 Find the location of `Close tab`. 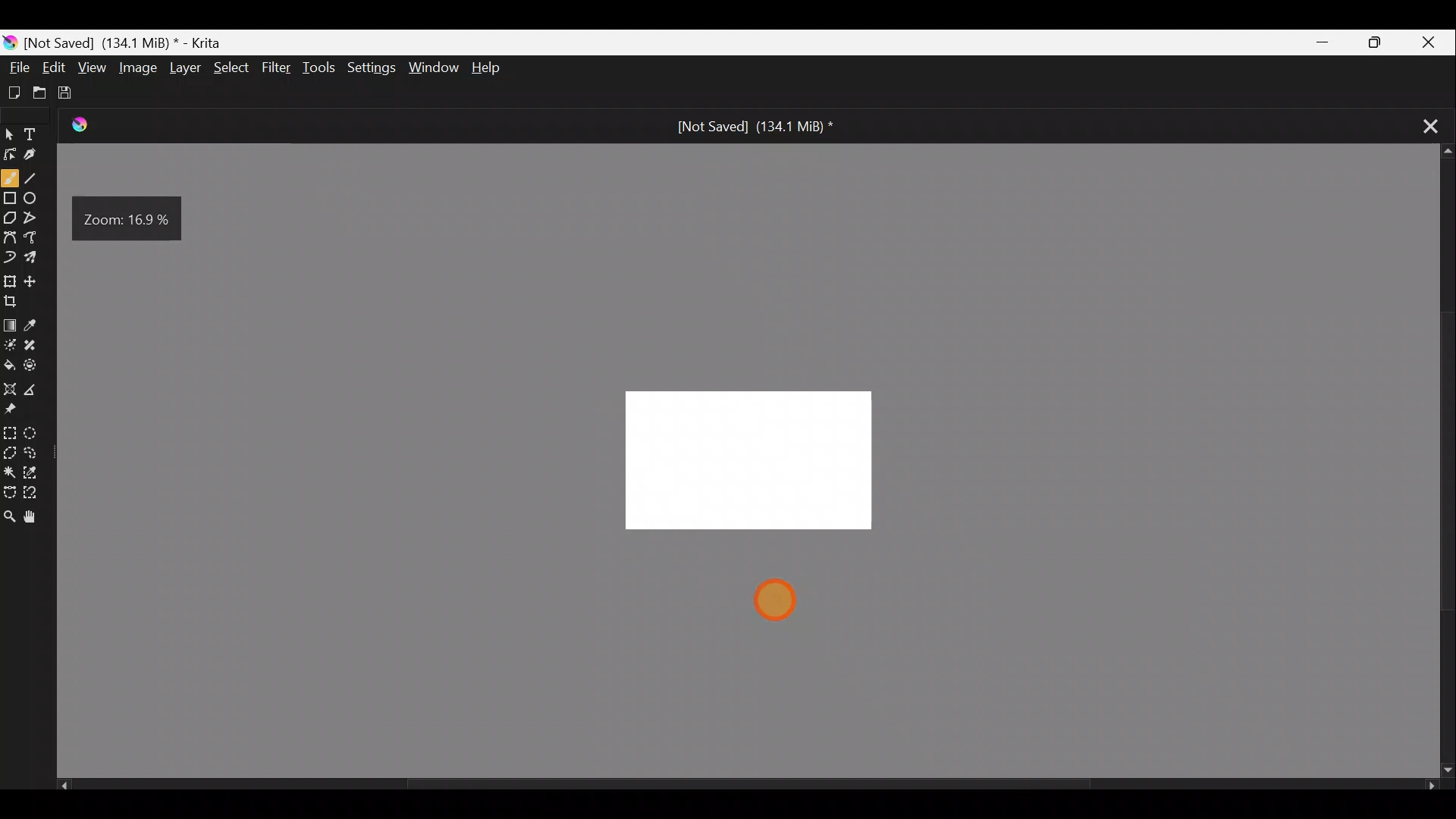

Close tab is located at coordinates (1424, 124).